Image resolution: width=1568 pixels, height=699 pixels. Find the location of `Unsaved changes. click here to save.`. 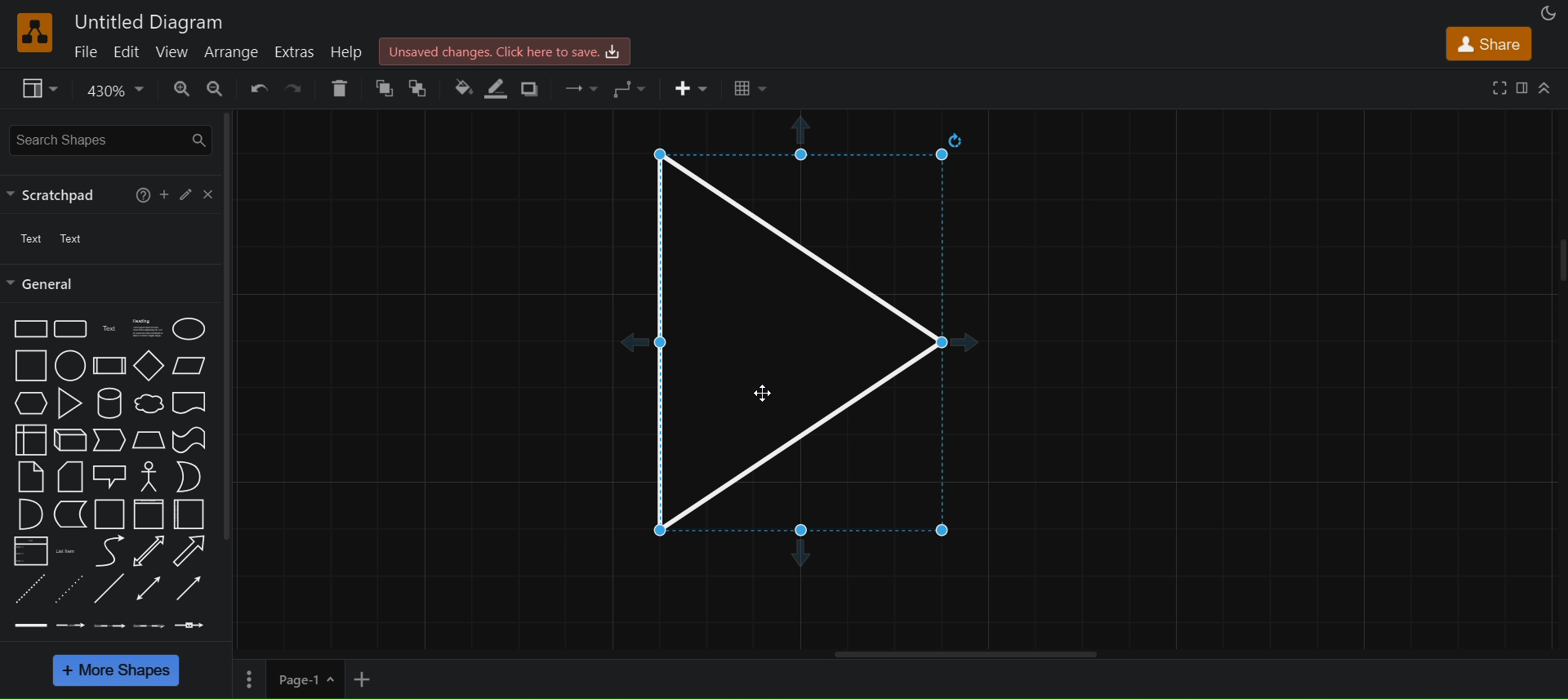

Unsaved changes. click here to save. is located at coordinates (506, 50).